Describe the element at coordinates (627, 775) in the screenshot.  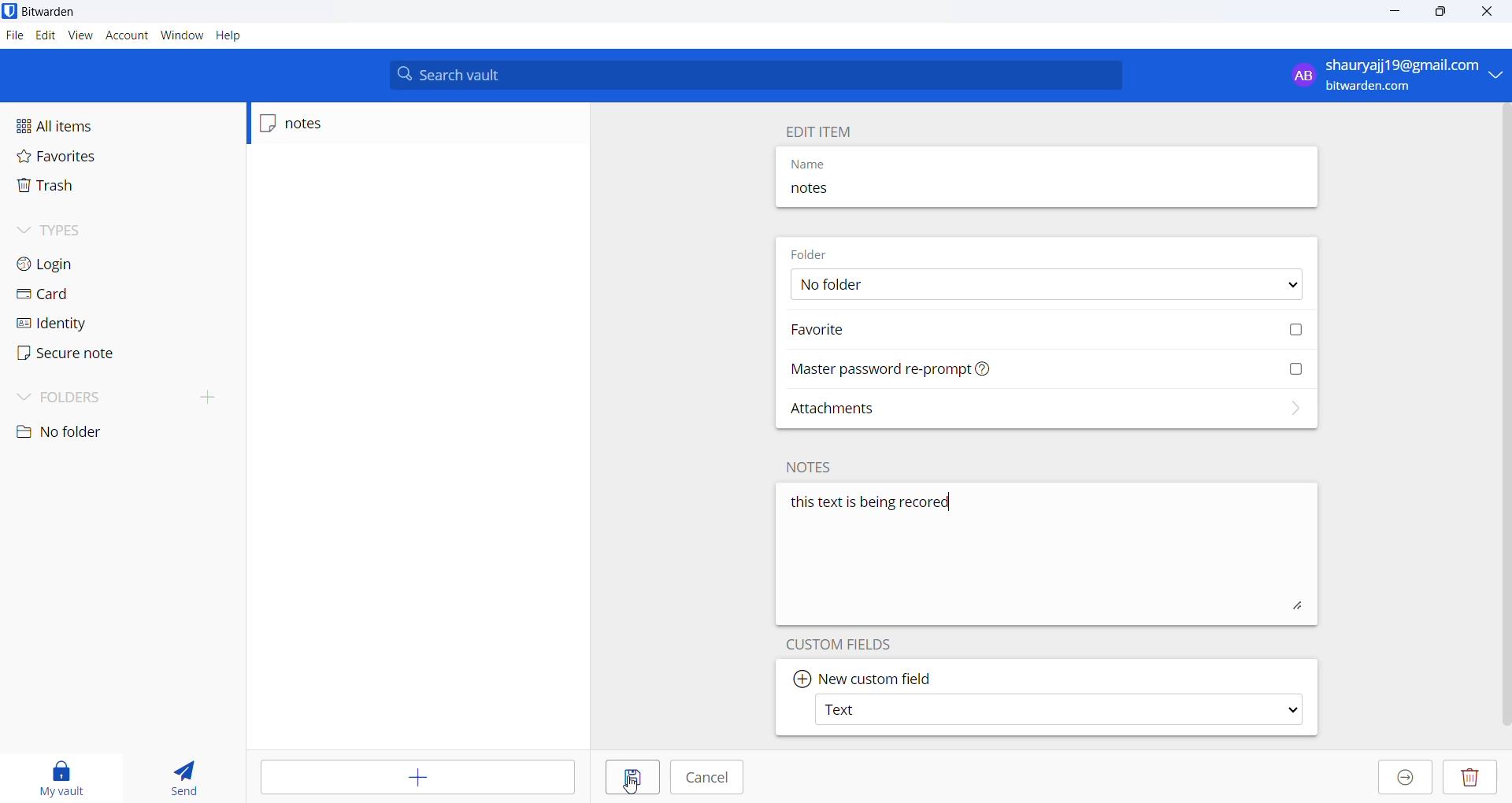
I see `save` at that location.